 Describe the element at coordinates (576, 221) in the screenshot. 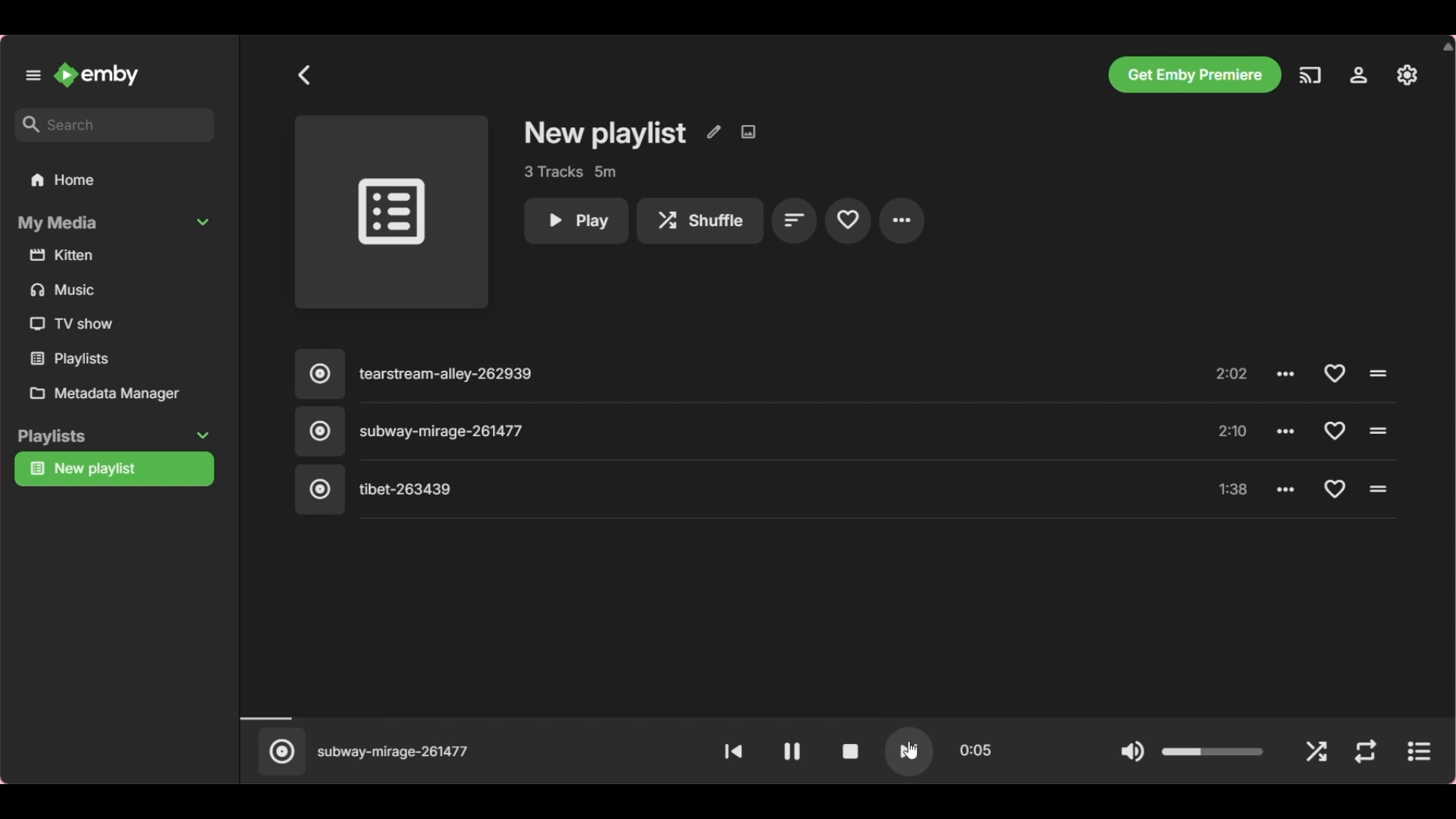

I see `Play` at that location.